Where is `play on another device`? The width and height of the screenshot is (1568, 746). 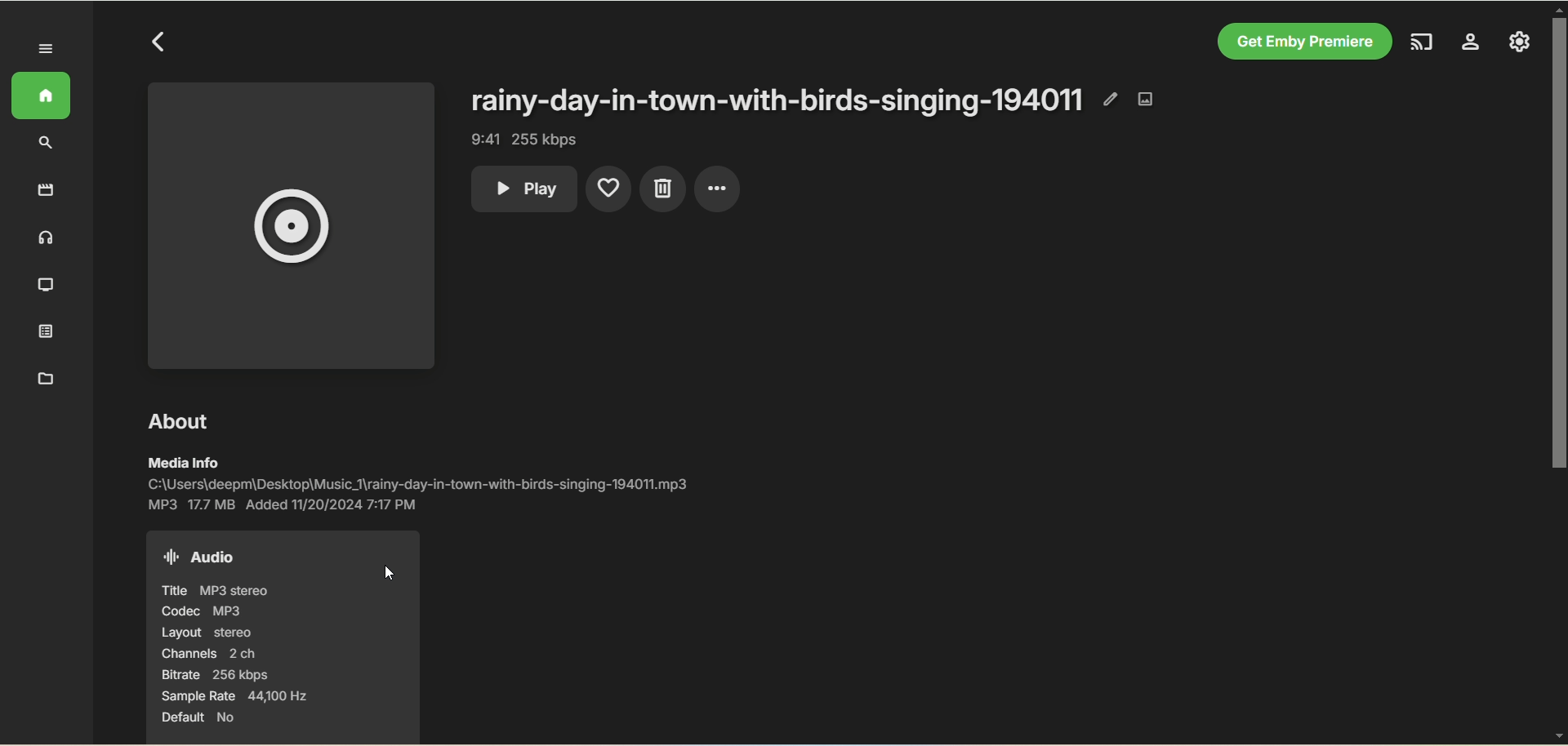 play on another device is located at coordinates (1424, 41).